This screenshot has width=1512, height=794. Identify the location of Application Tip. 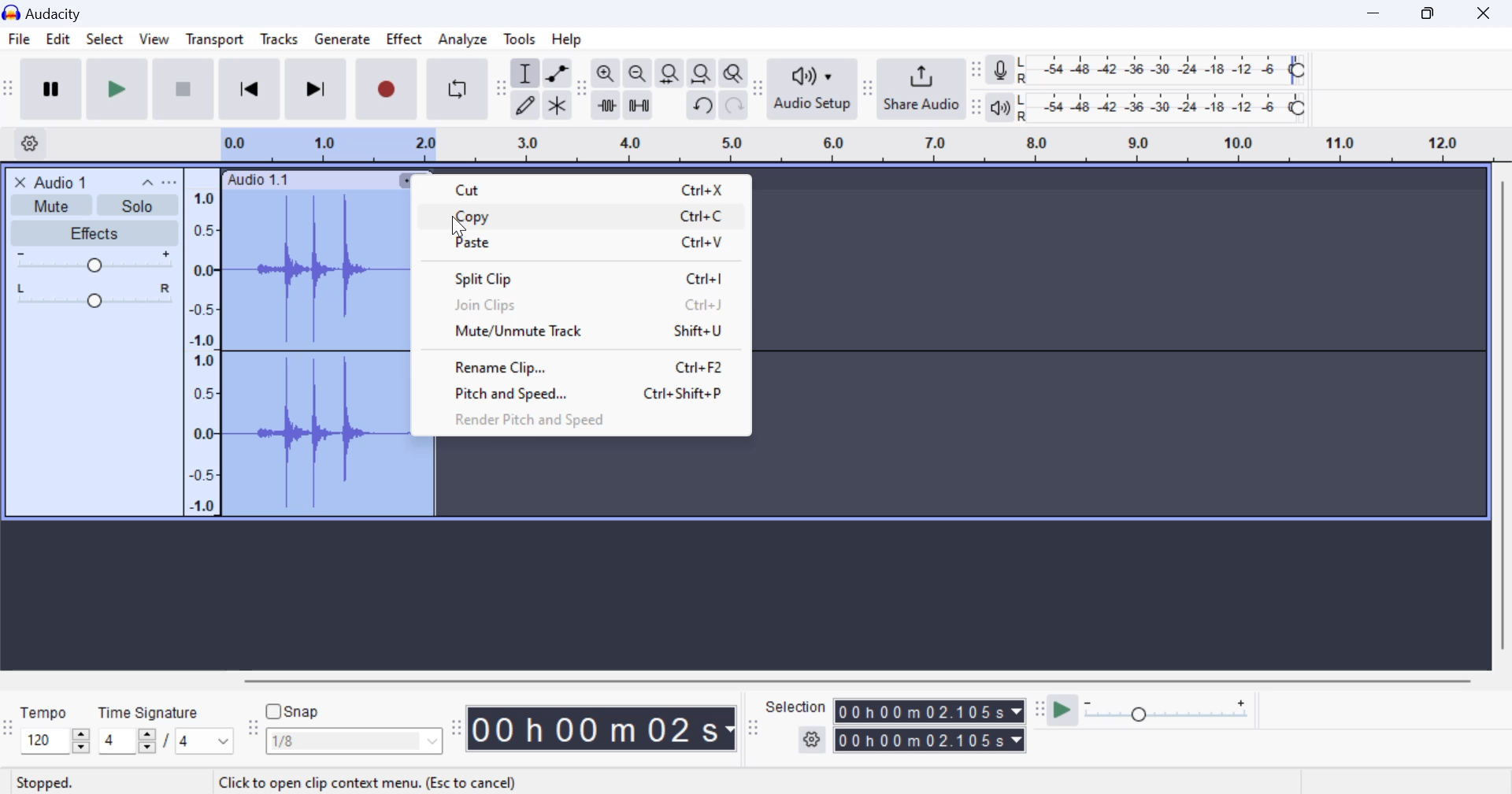
(369, 781).